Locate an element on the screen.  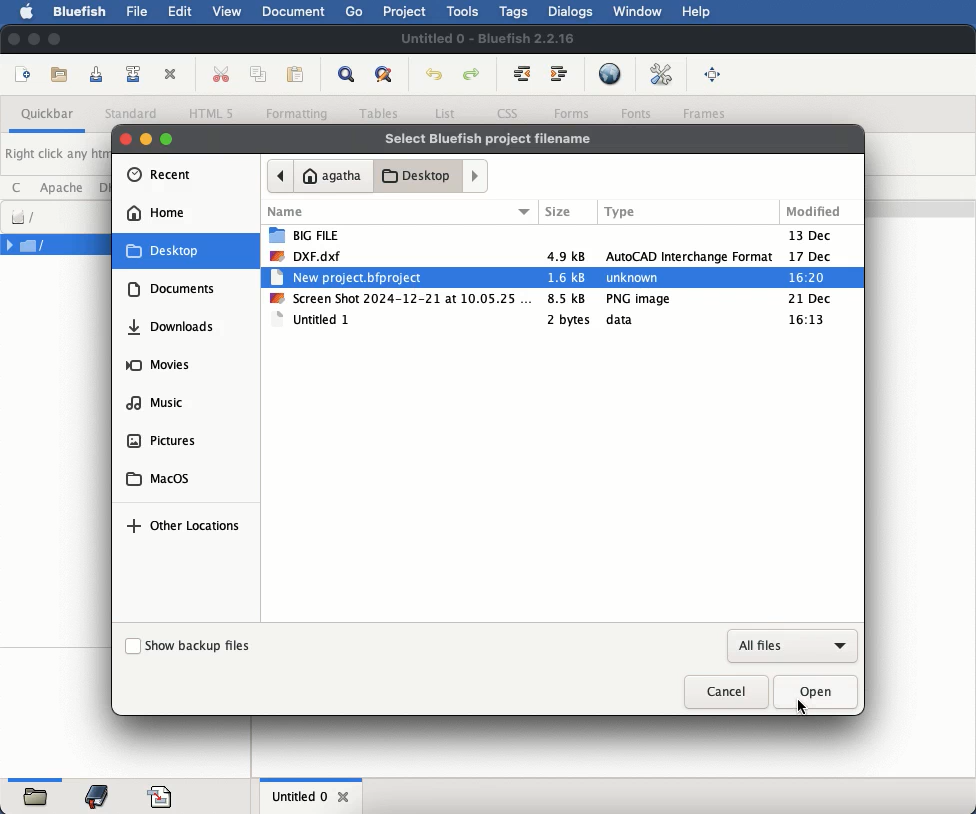
Untitled 0 - Bluefish 2.2.16 is located at coordinates (487, 39).